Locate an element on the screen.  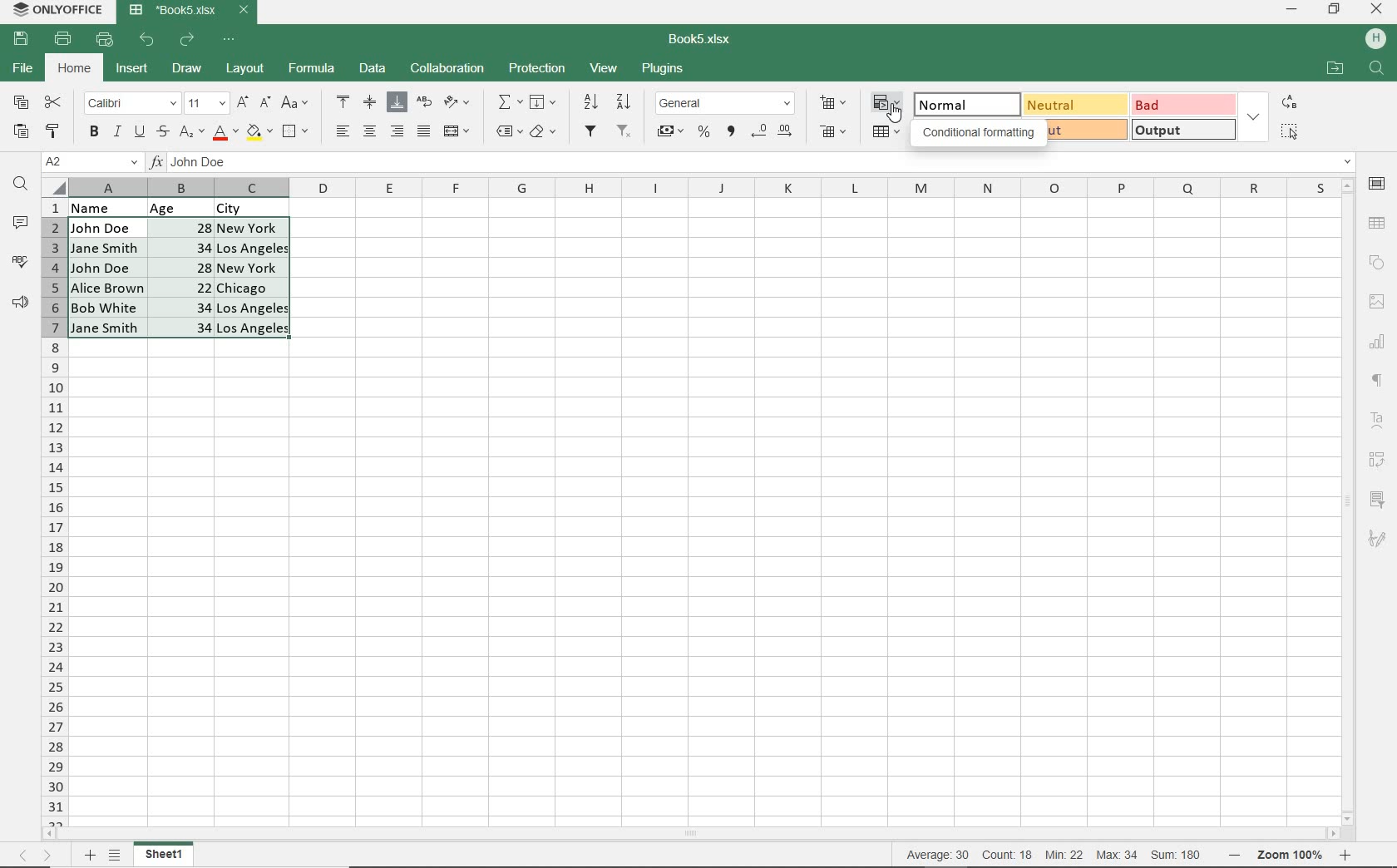
ALIGN TOP is located at coordinates (344, 101).